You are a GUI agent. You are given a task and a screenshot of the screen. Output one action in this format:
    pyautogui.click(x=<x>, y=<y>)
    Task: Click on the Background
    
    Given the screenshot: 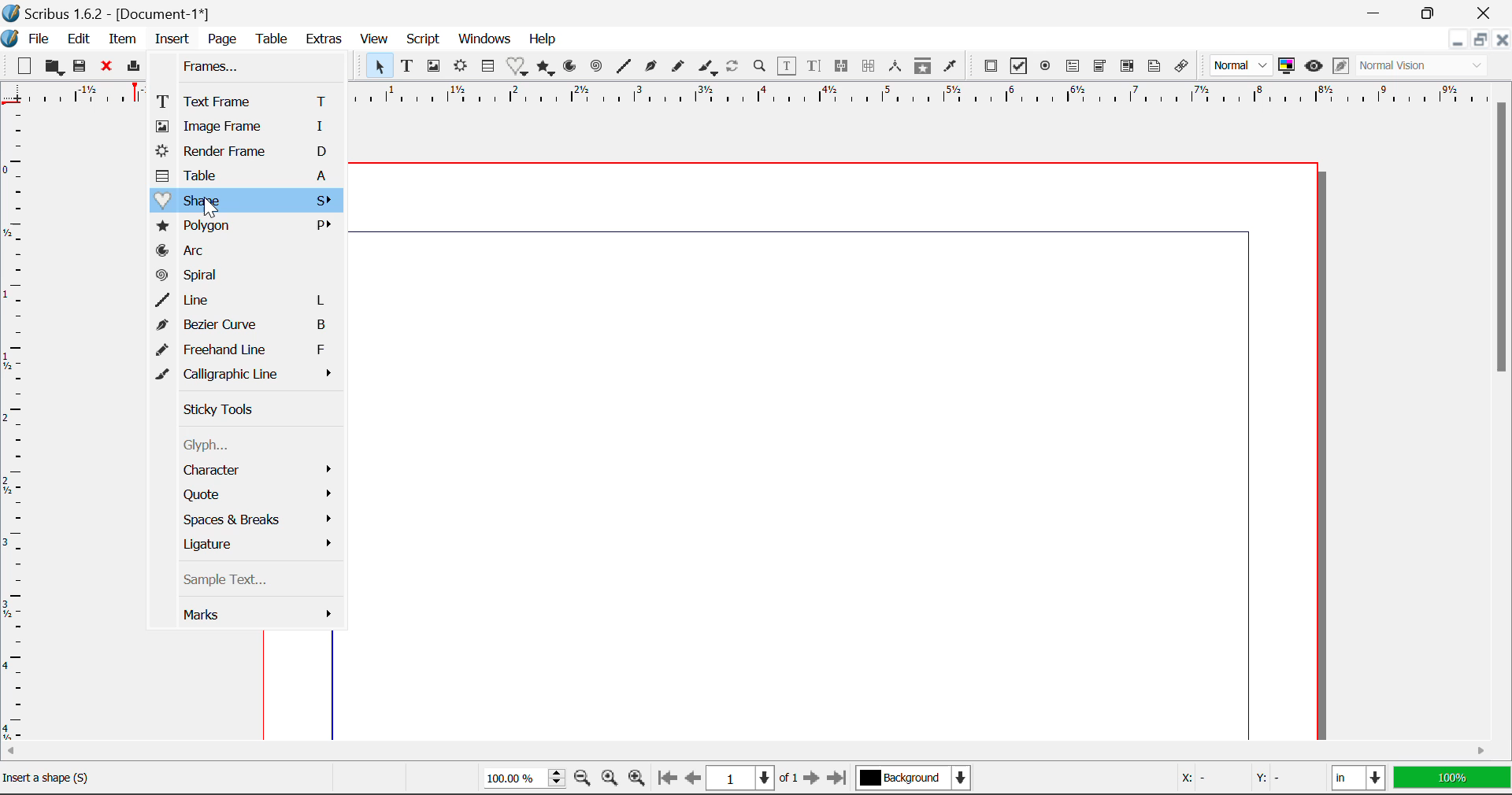 What is the action you would take?
    pyautogui.click(x=916, y=779)
    